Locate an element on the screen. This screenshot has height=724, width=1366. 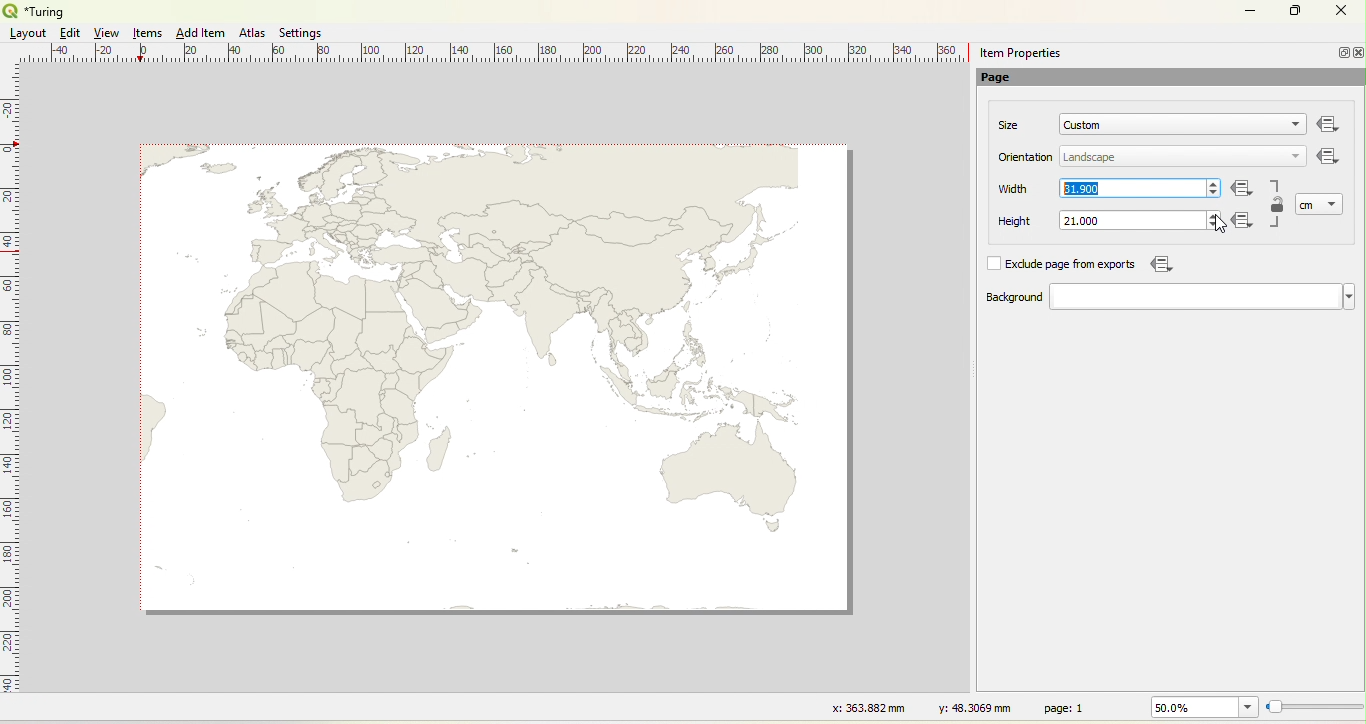
dropdown is located at coordinates (1334, 203).